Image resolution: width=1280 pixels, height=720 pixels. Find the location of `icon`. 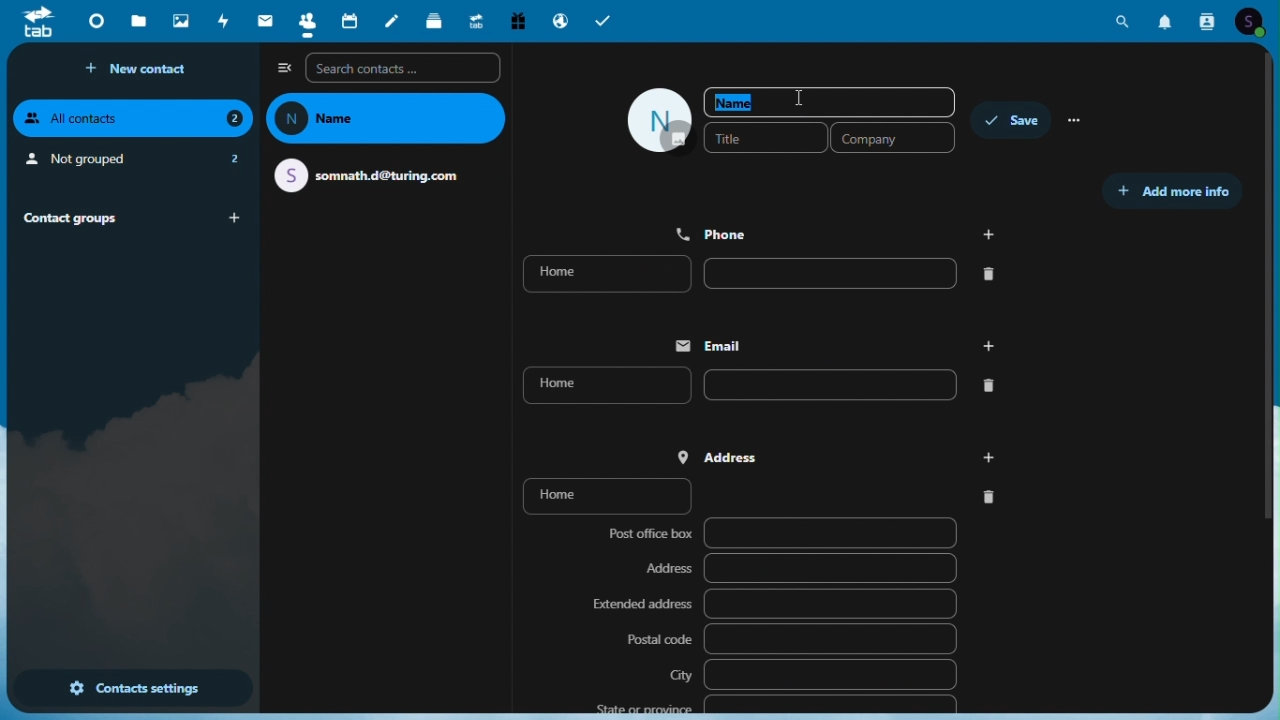

icon is located at coordinates (661, 120).